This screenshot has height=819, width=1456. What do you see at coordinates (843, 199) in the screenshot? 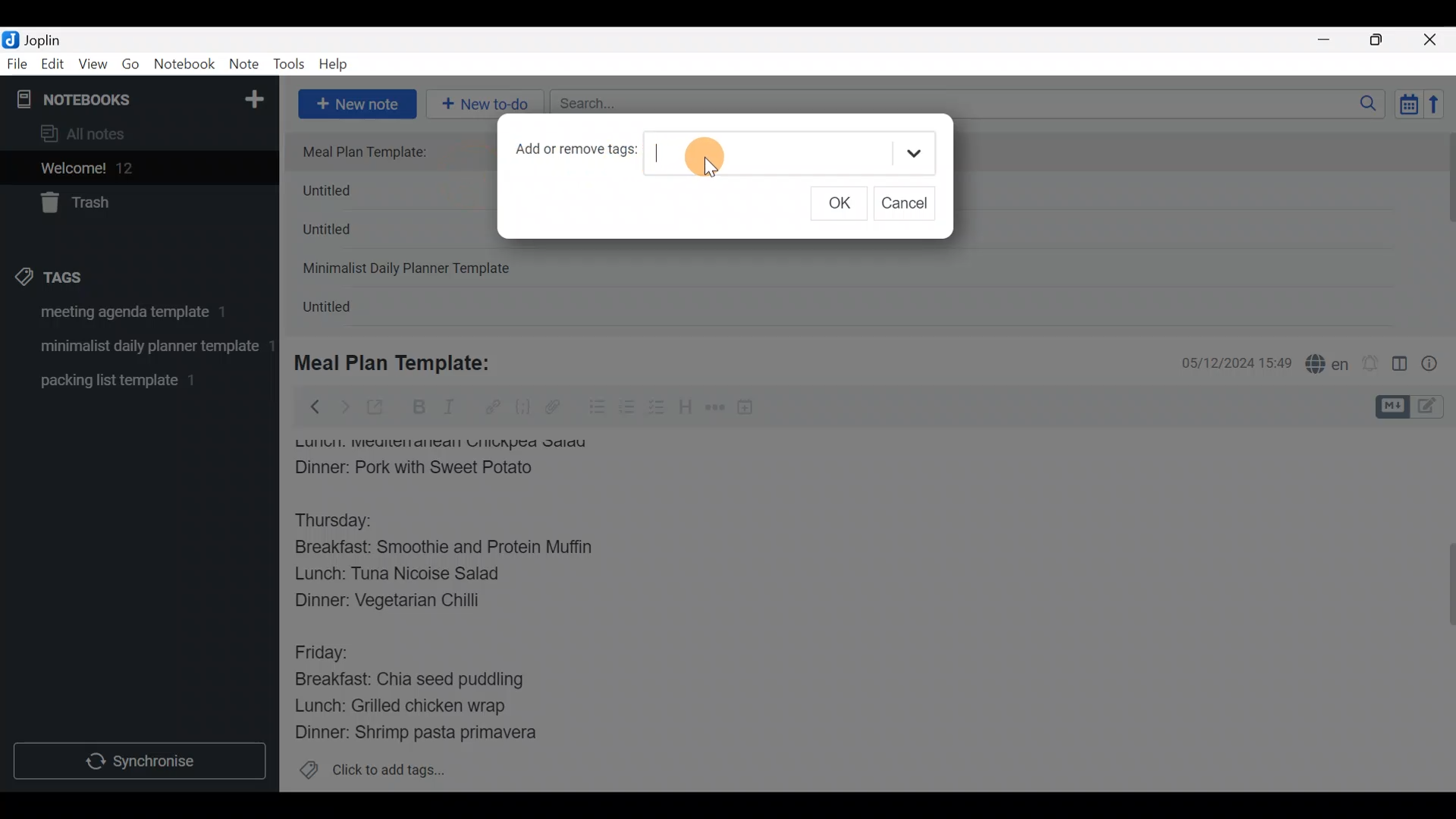
I see `OK` at bounding box center [843, 199].